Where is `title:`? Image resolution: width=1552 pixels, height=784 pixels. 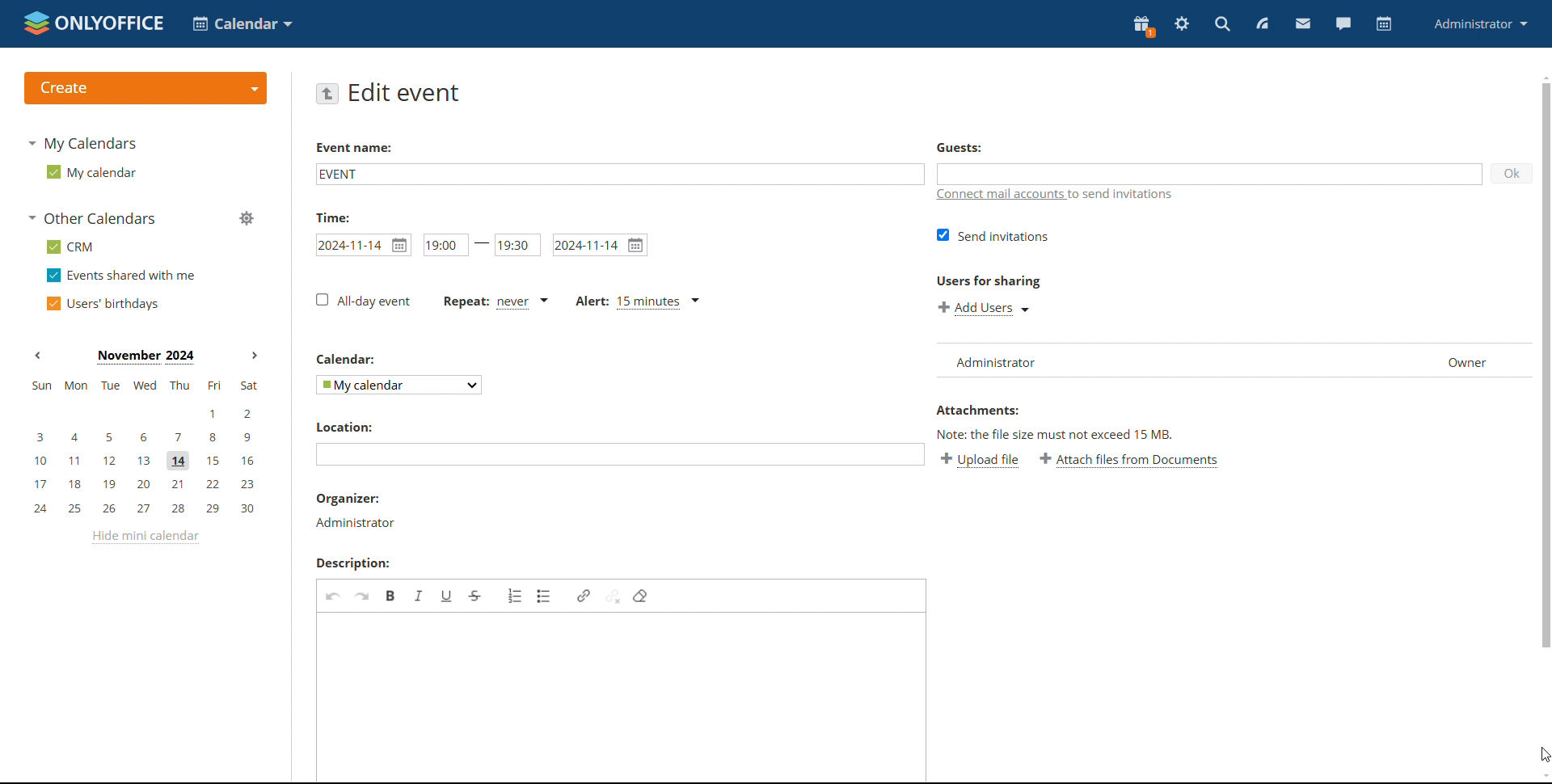
title: is located at coordinates (339, 217).